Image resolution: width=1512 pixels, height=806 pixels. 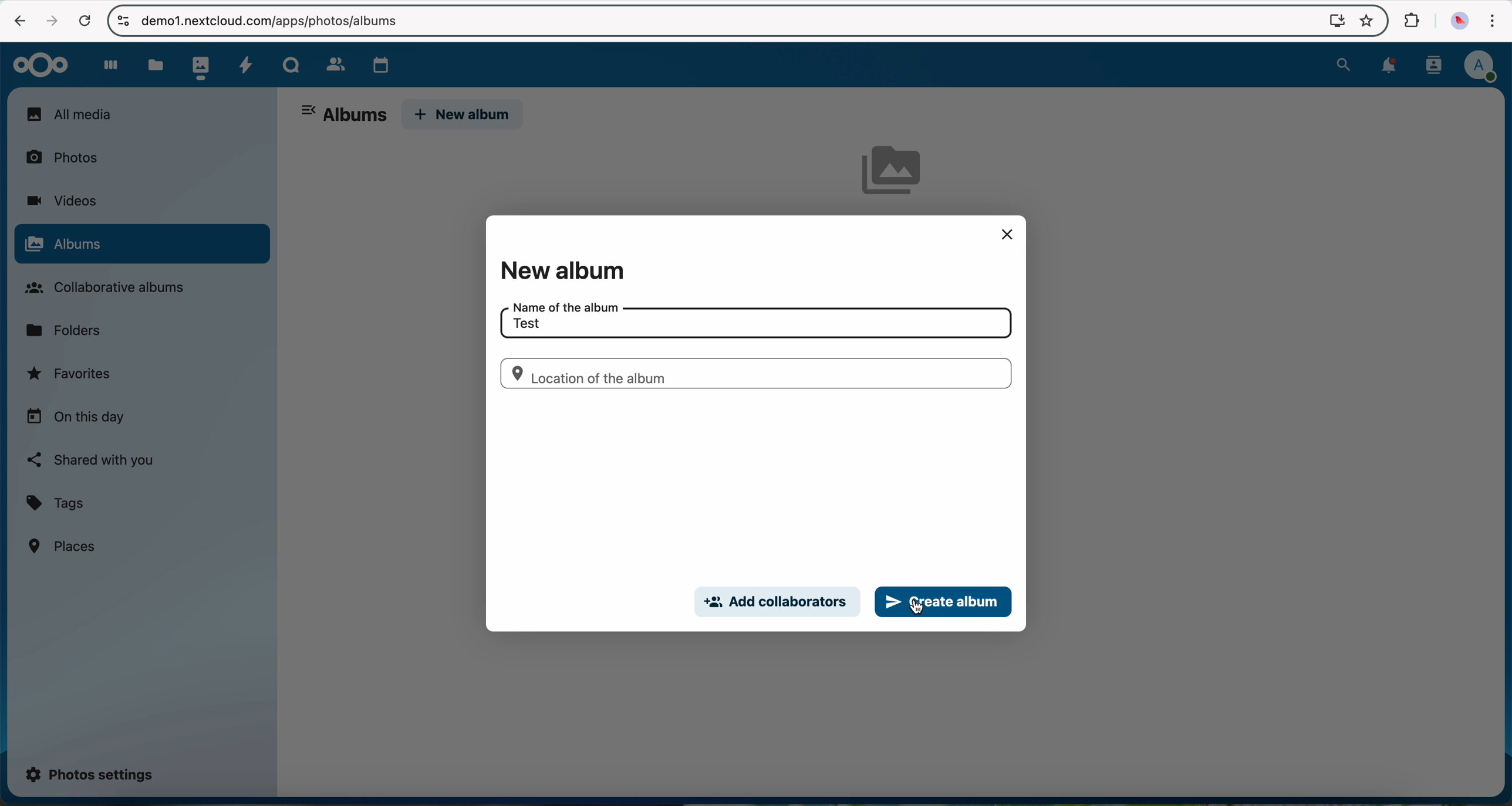 I want to click on dashboard, so click(x=105, y=65).